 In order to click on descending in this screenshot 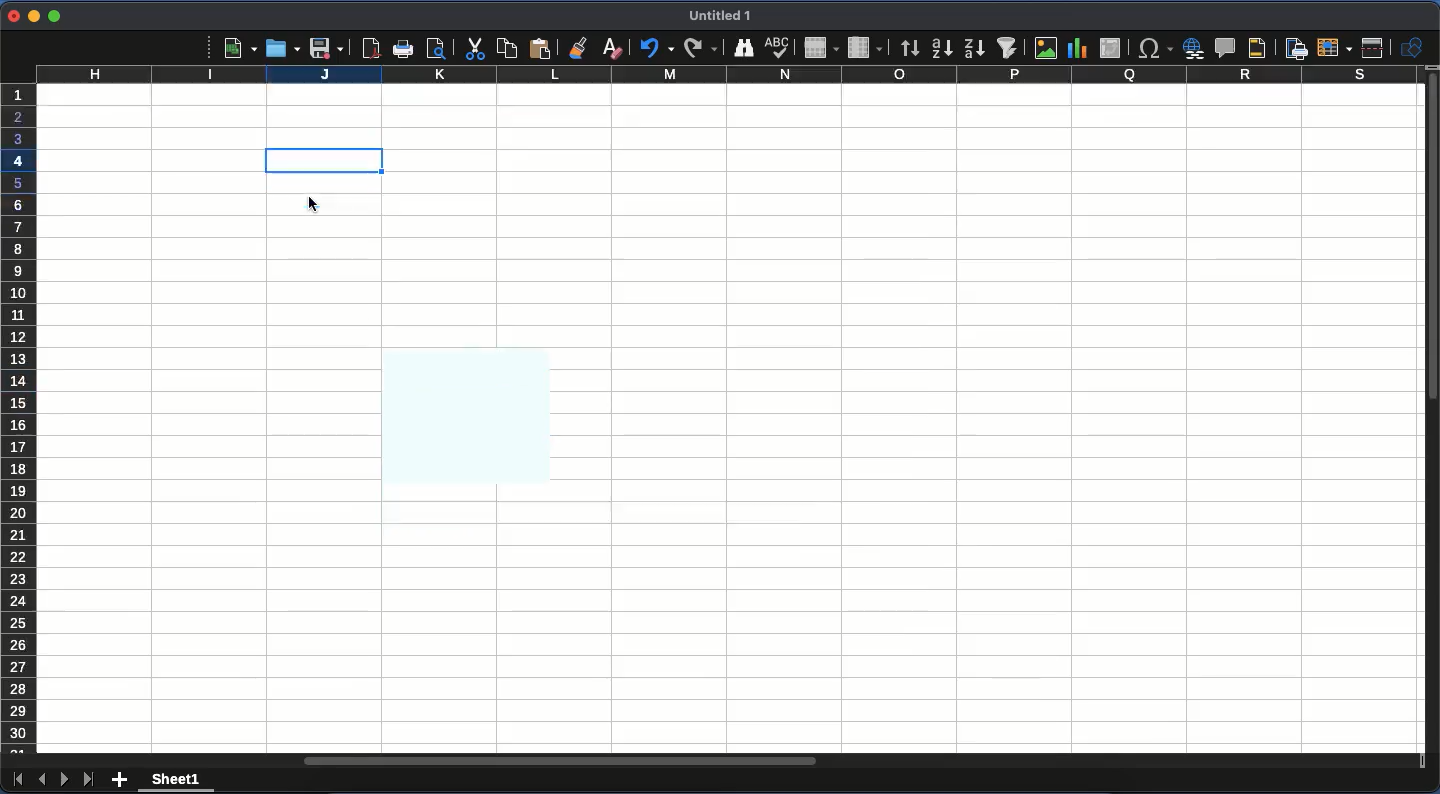, I will do `click(974, 48)`.